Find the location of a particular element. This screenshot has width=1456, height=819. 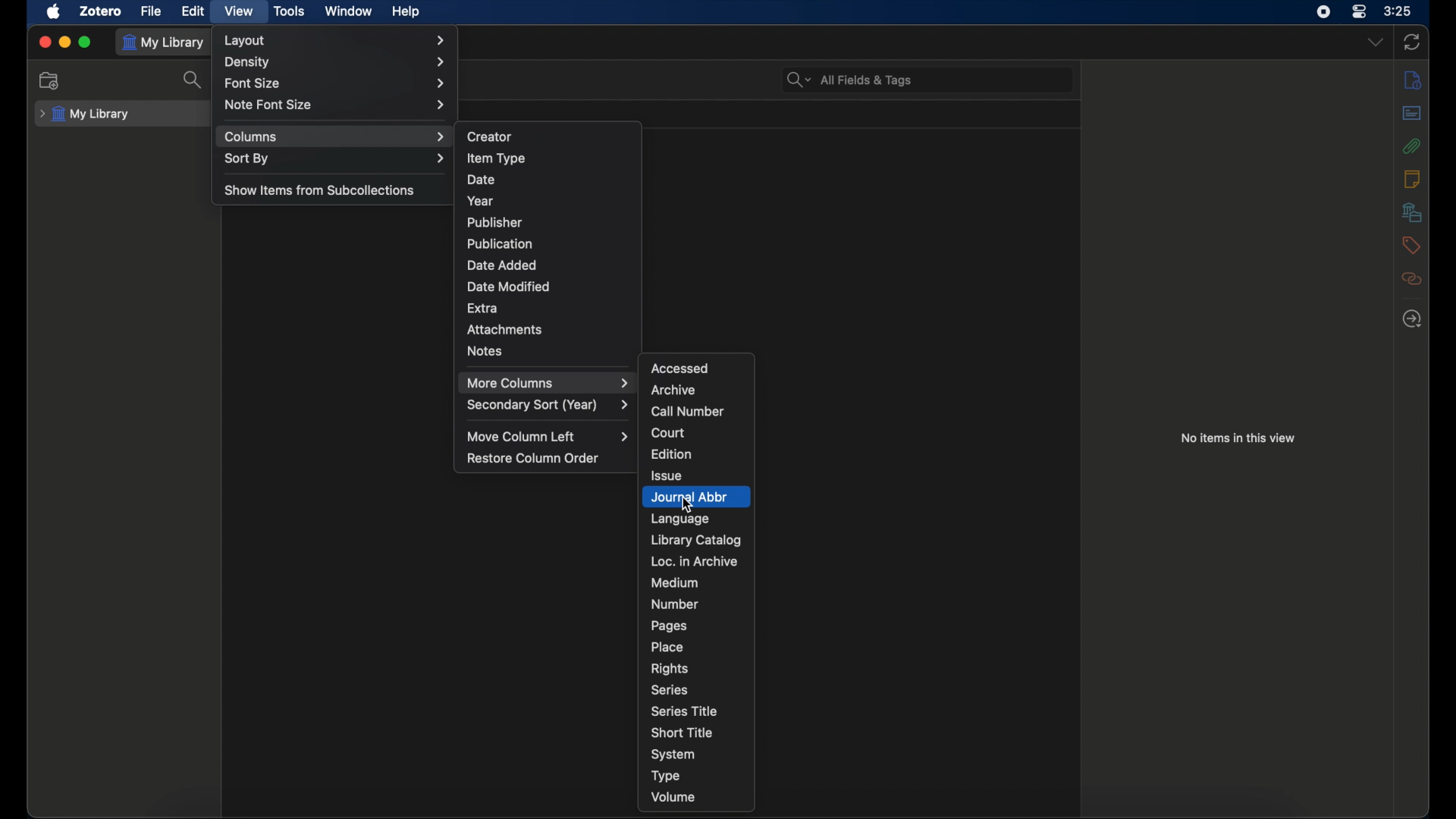

type is located at coordinates (665, 777).